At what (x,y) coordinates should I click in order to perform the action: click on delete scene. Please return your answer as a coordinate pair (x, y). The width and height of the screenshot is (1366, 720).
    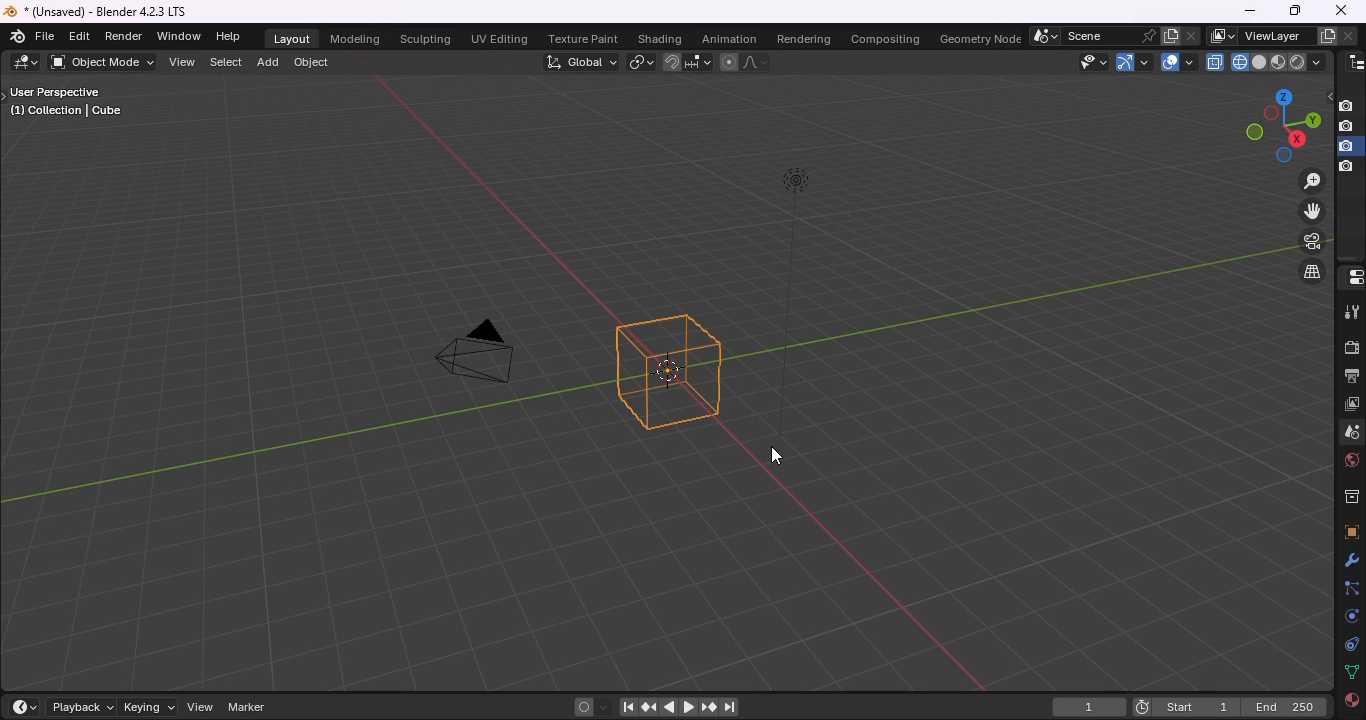
    Looking at the image, I should click on (1194, 35).